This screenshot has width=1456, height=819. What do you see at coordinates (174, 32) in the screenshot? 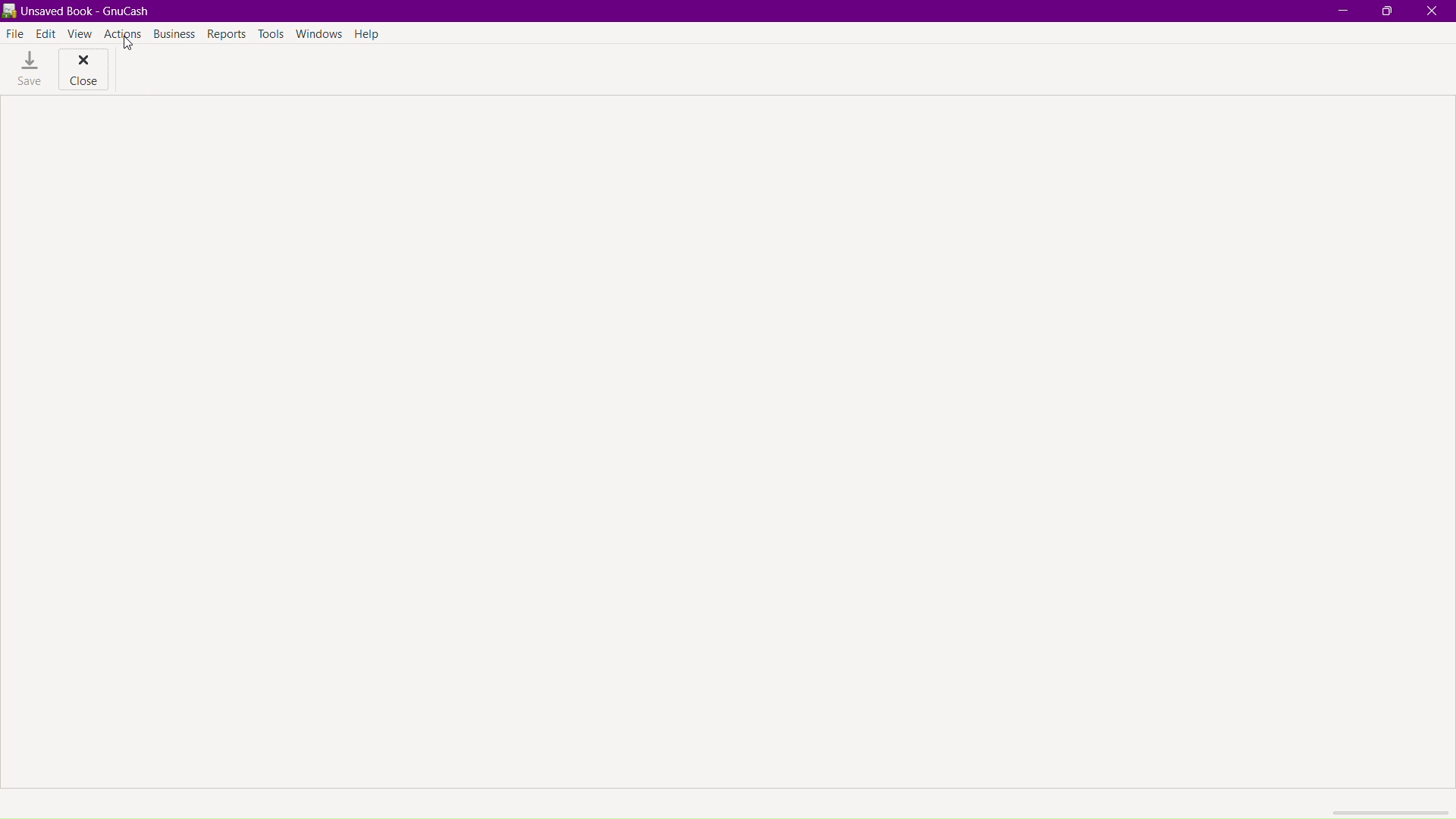
I see `Business` at bounding box center [174, 32].